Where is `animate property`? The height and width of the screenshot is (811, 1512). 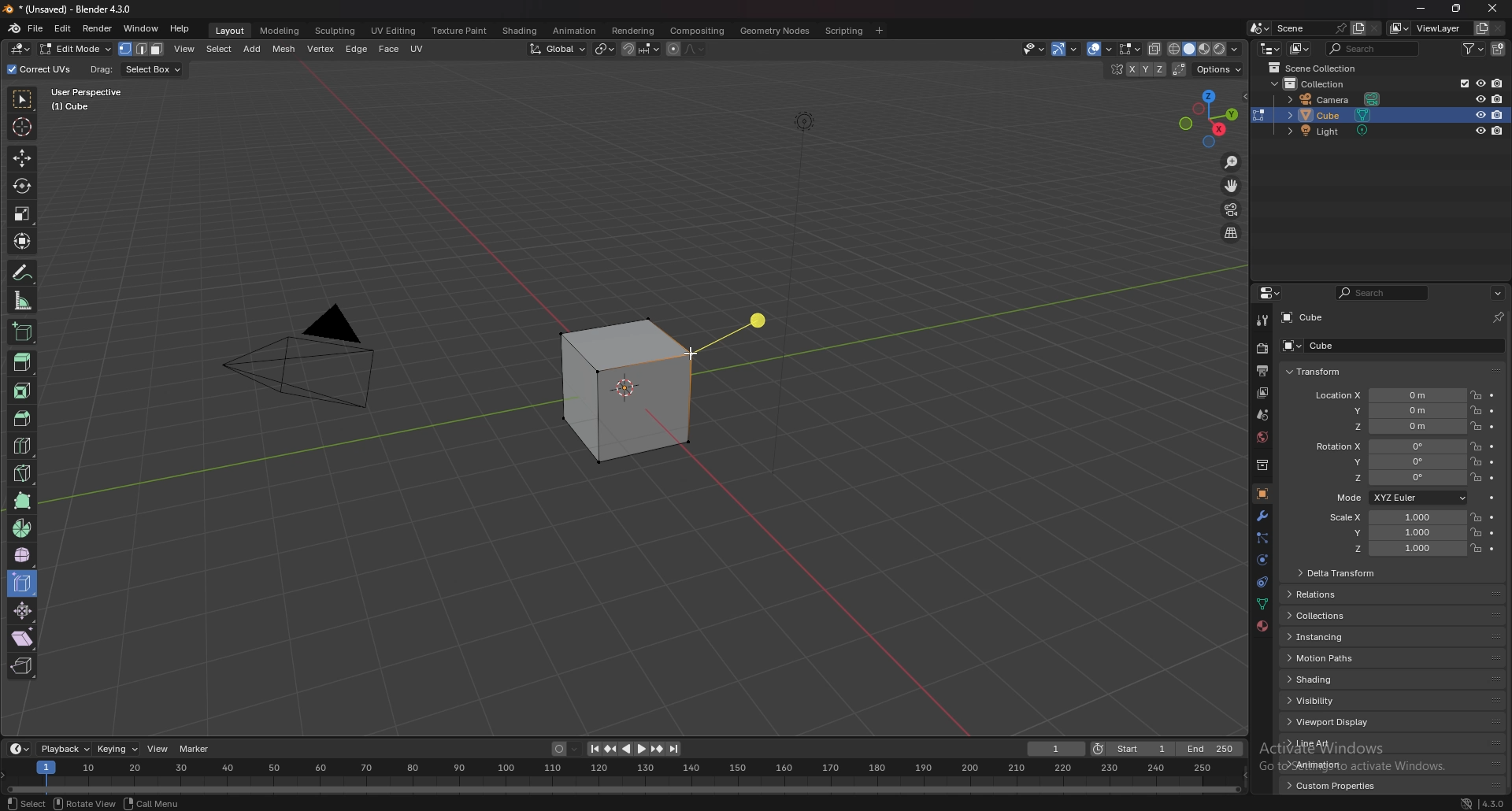
animate property is located at coordinates (1492, 412).